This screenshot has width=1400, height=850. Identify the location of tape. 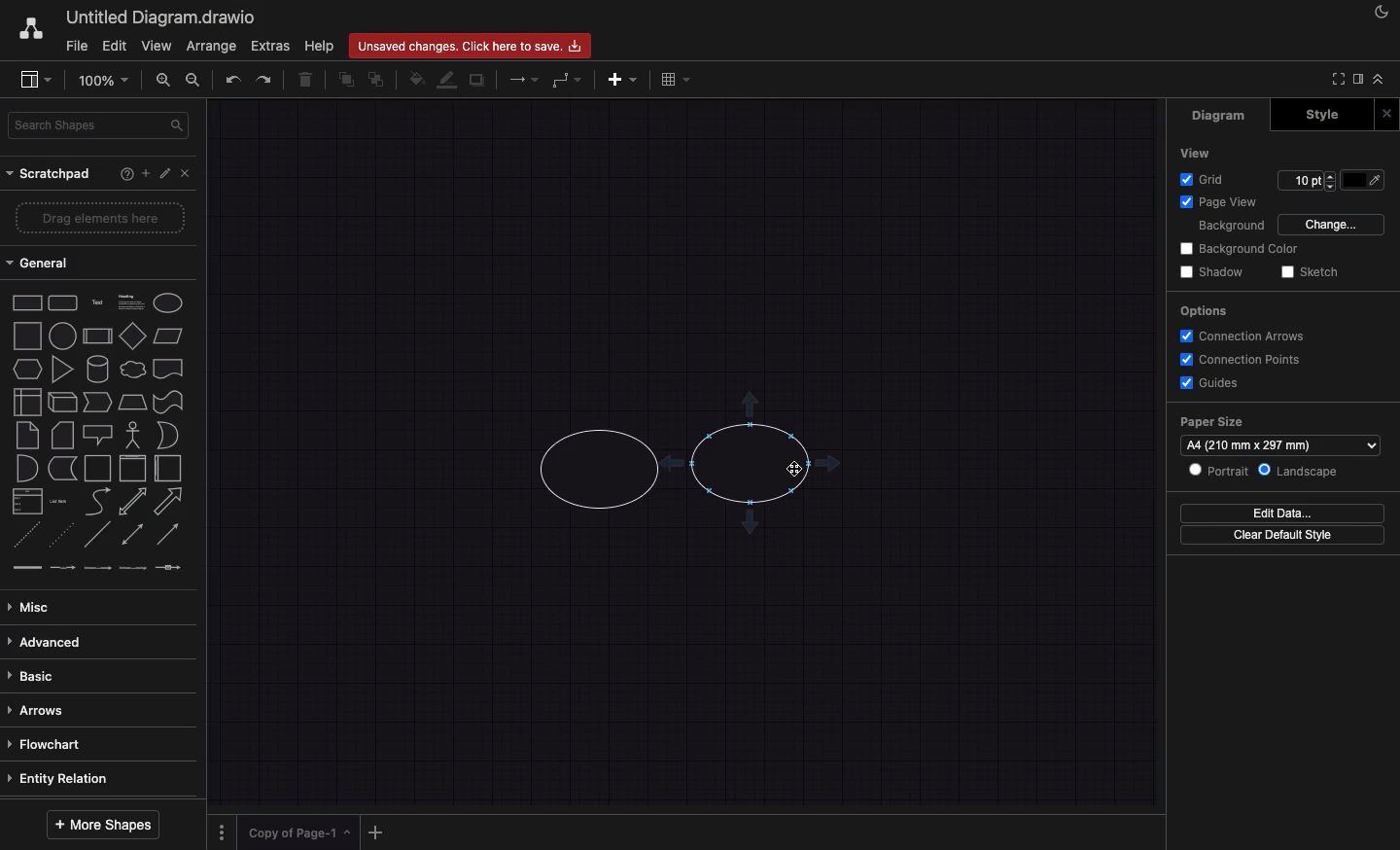
(169, 402).